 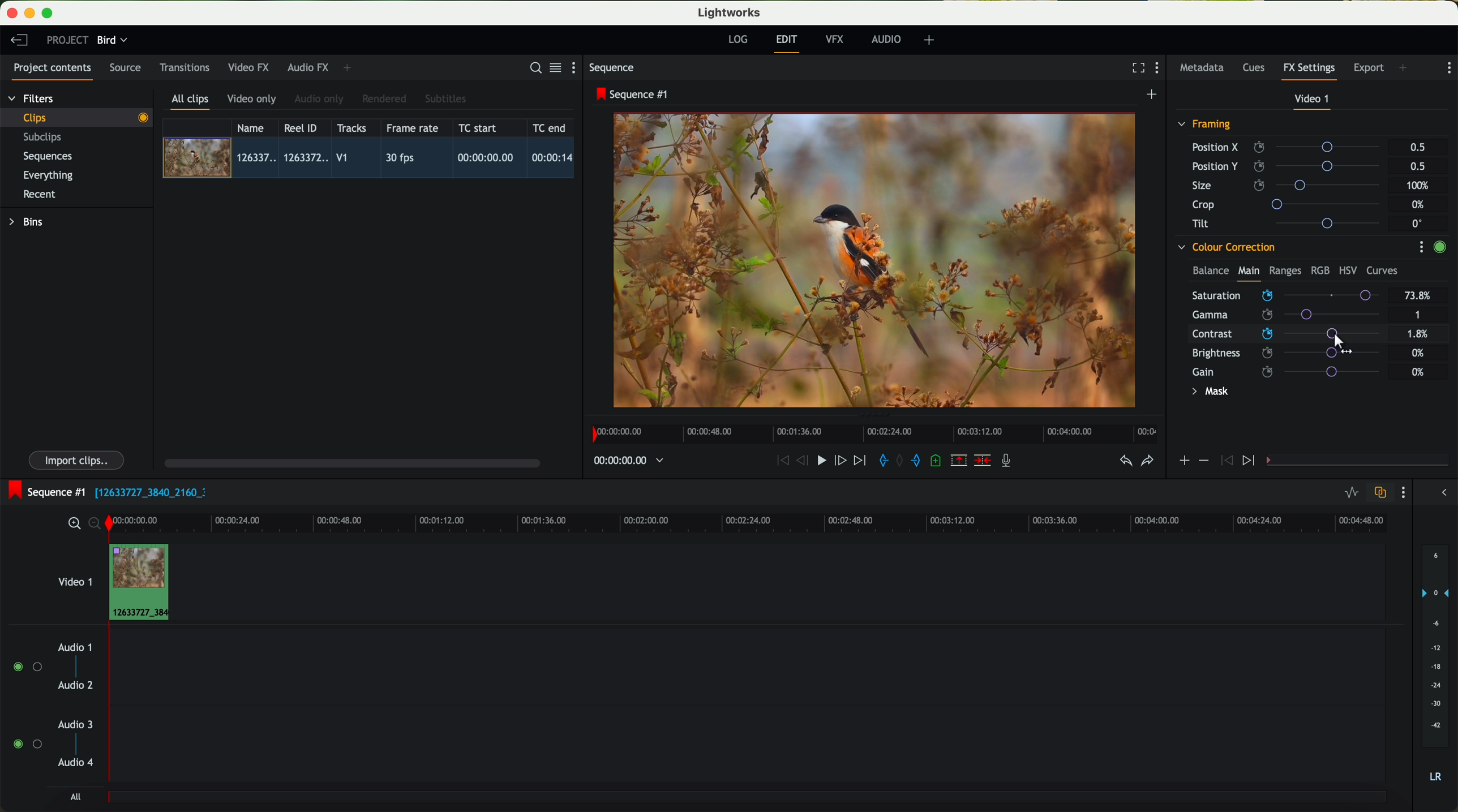 What do you see at coordinates (1337, 337) in the screenshot?
I see `drag to (contrast)` at bounding box center [1337, 337].